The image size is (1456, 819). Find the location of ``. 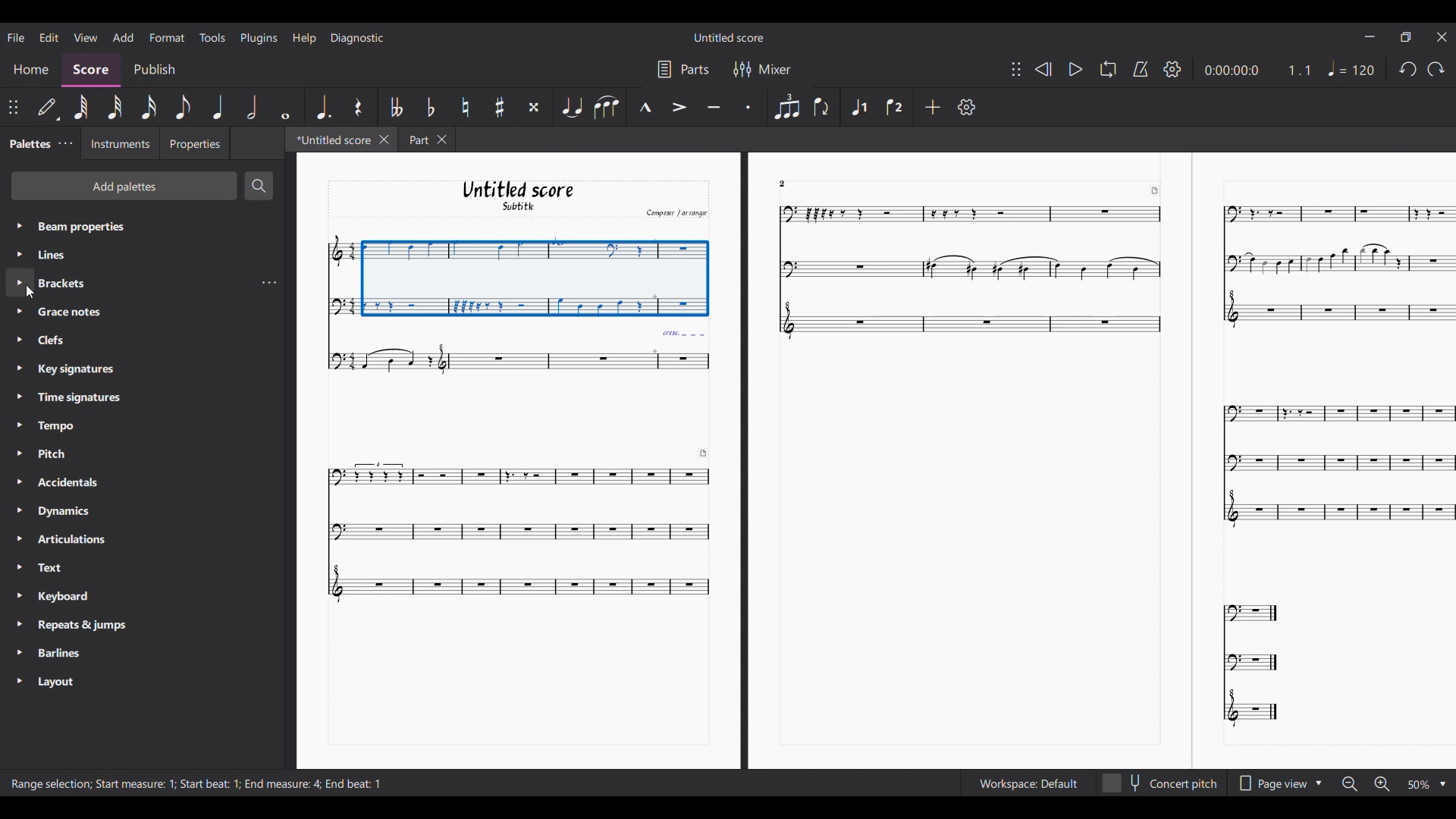

 is located at coordinates (522, 531).